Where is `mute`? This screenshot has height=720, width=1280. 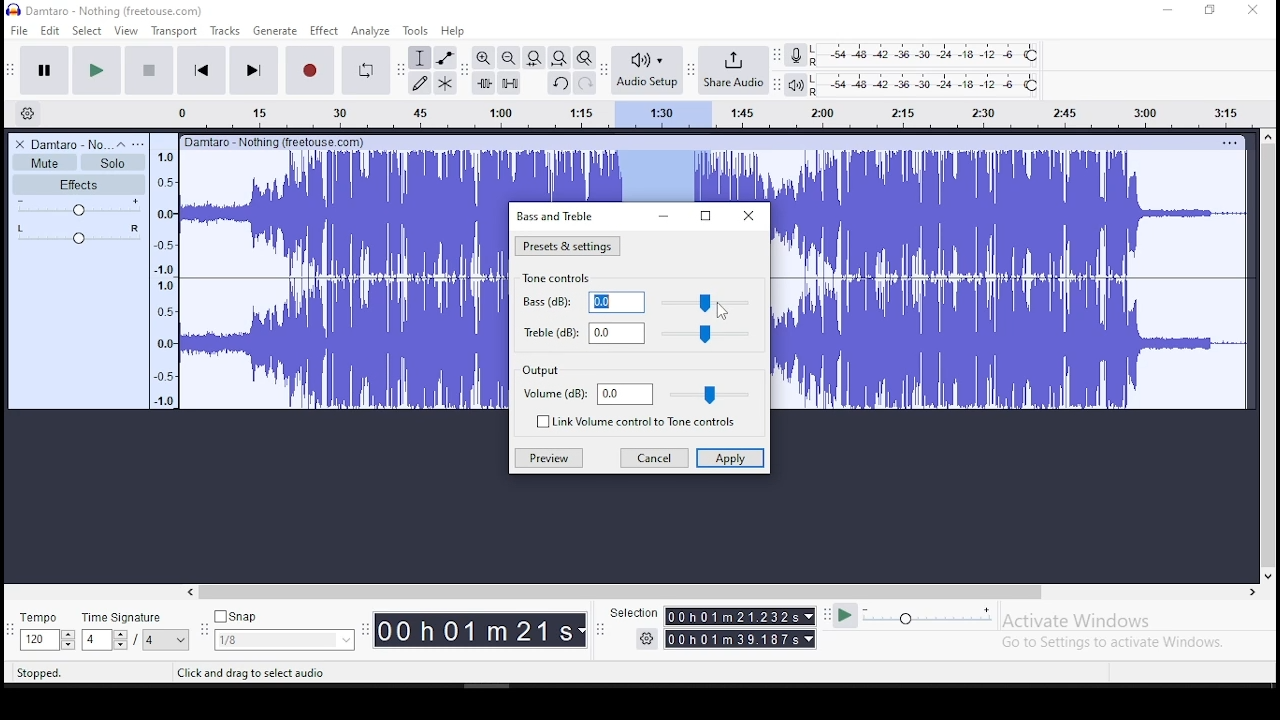
mute is located at coordinates (44, 163).